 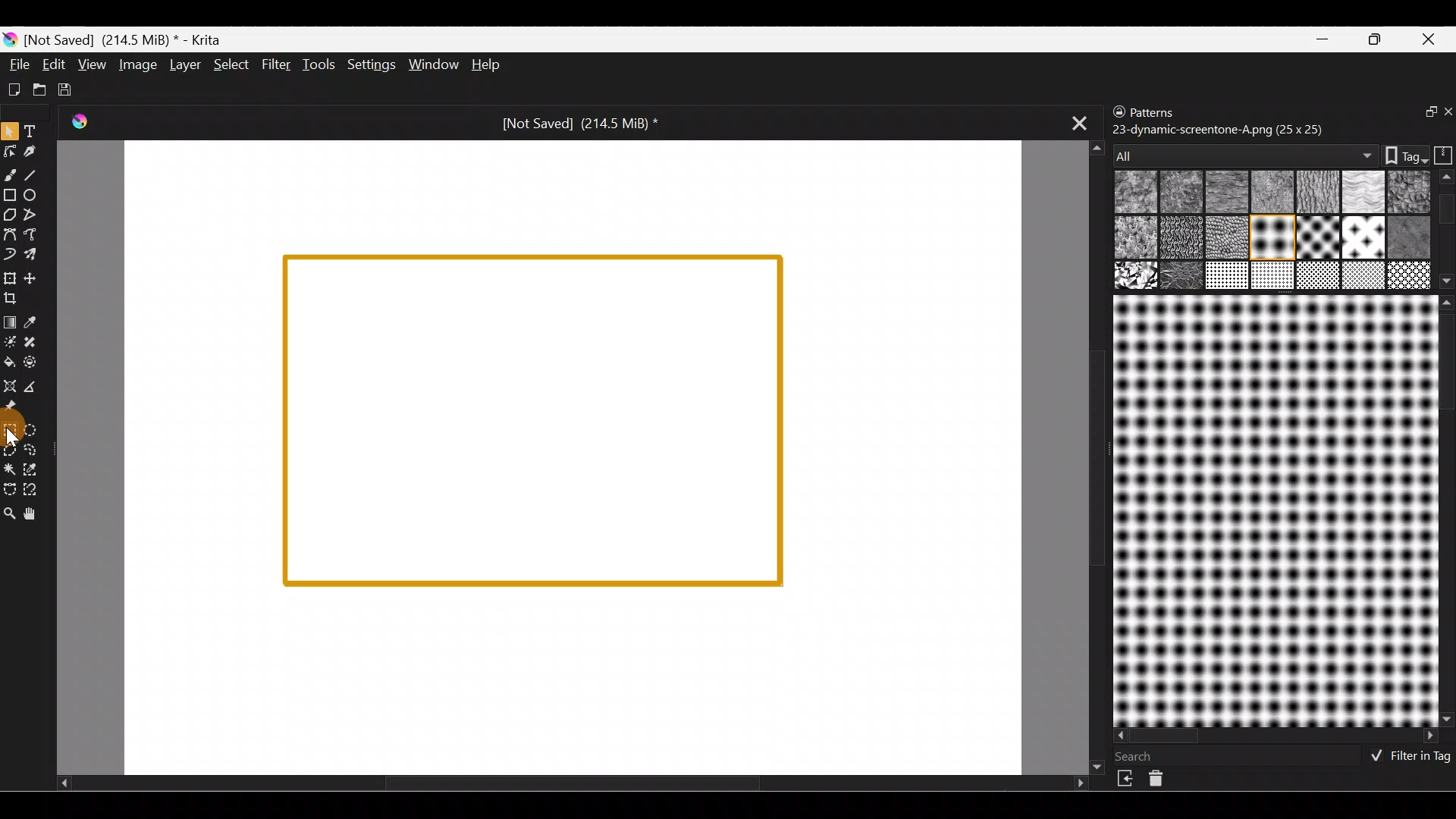 I want to click on Draw a gradient, so click(x=12, y=318).